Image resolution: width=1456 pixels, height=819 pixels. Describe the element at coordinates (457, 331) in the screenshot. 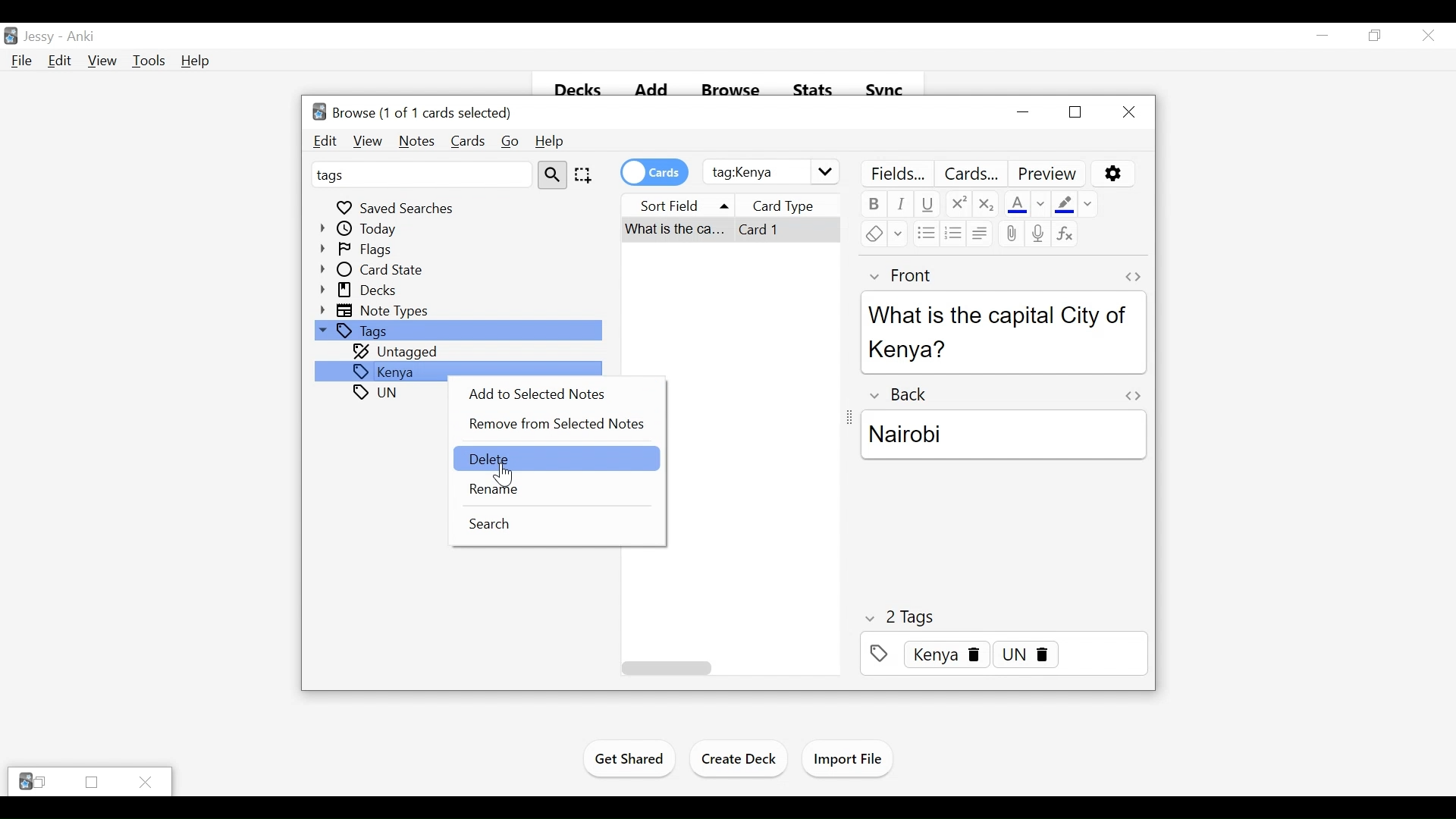

I see `Tags` at that location.